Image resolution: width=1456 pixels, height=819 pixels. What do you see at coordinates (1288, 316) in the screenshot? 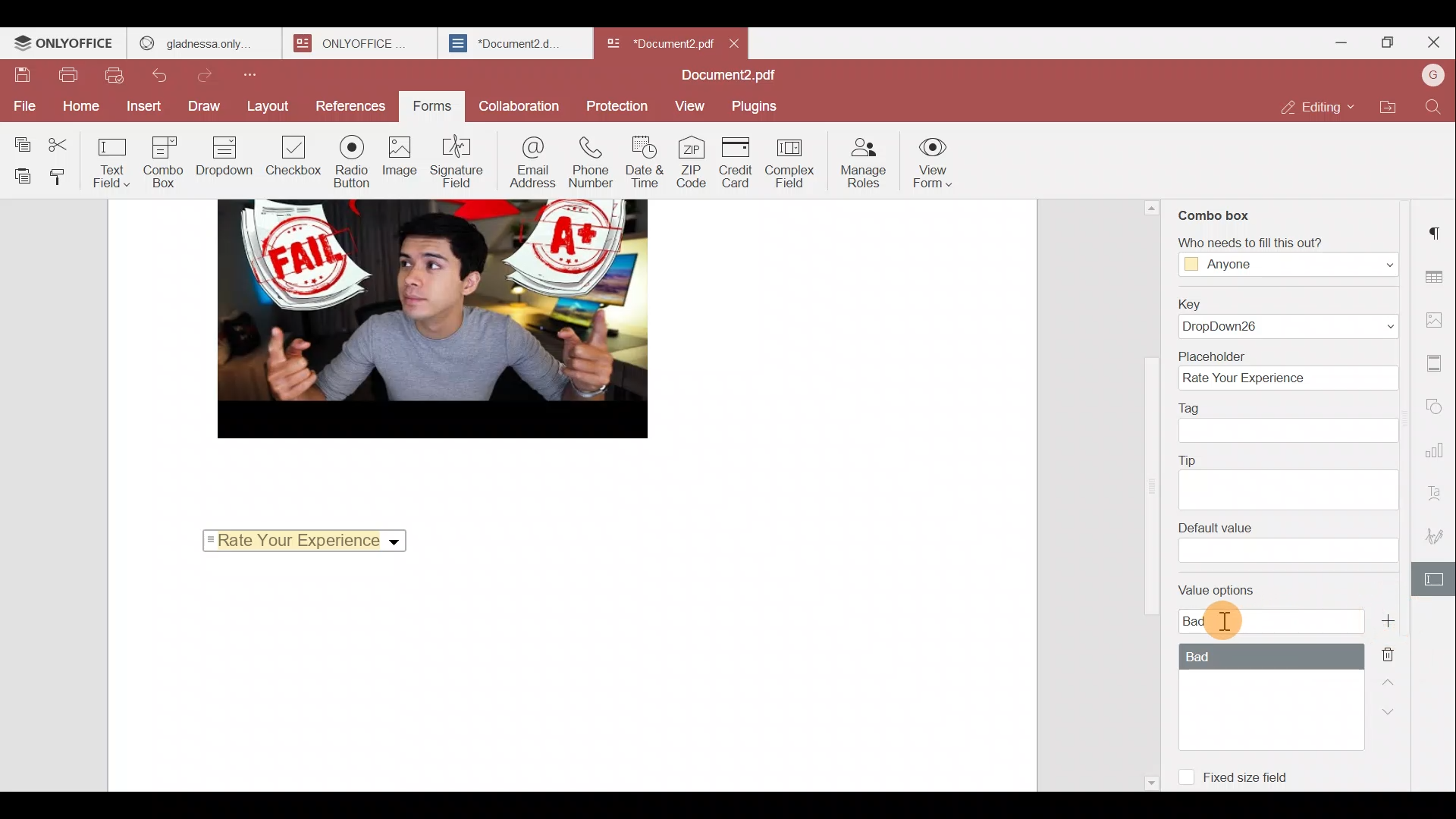
I see `Key` at bounding box center [1288, 316].